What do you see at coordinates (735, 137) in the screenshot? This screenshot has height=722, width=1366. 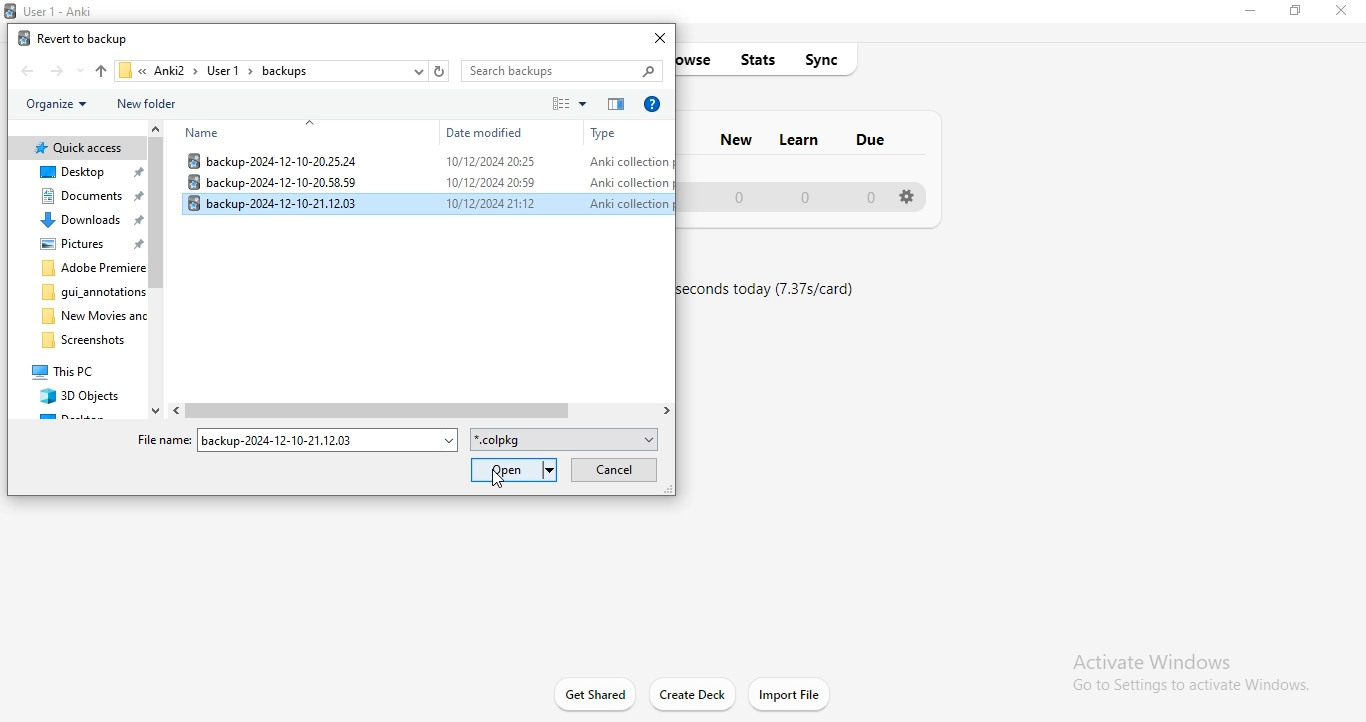 I see `new` at bounding box center [735, 137].